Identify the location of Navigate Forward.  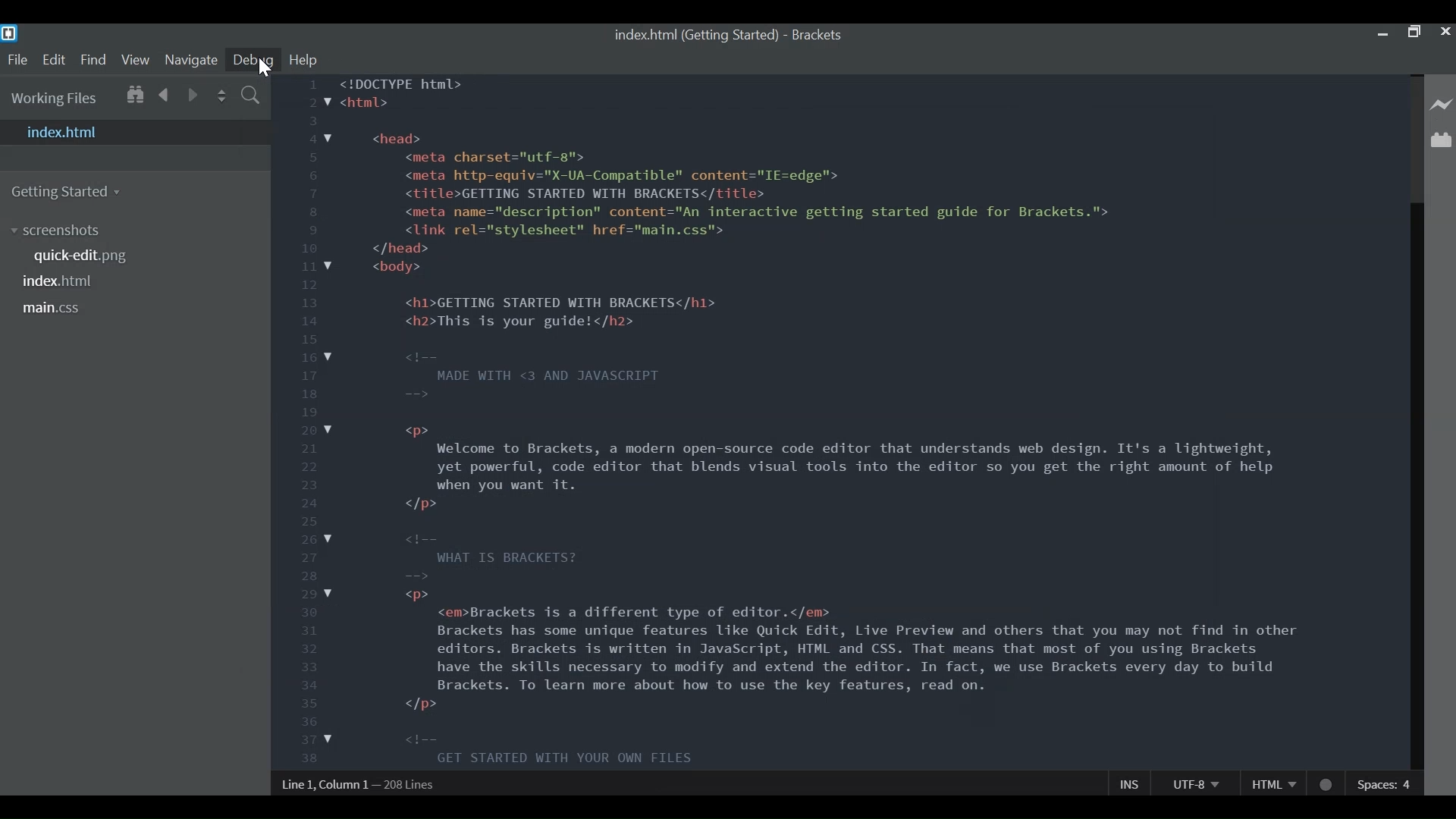
(194, 95).